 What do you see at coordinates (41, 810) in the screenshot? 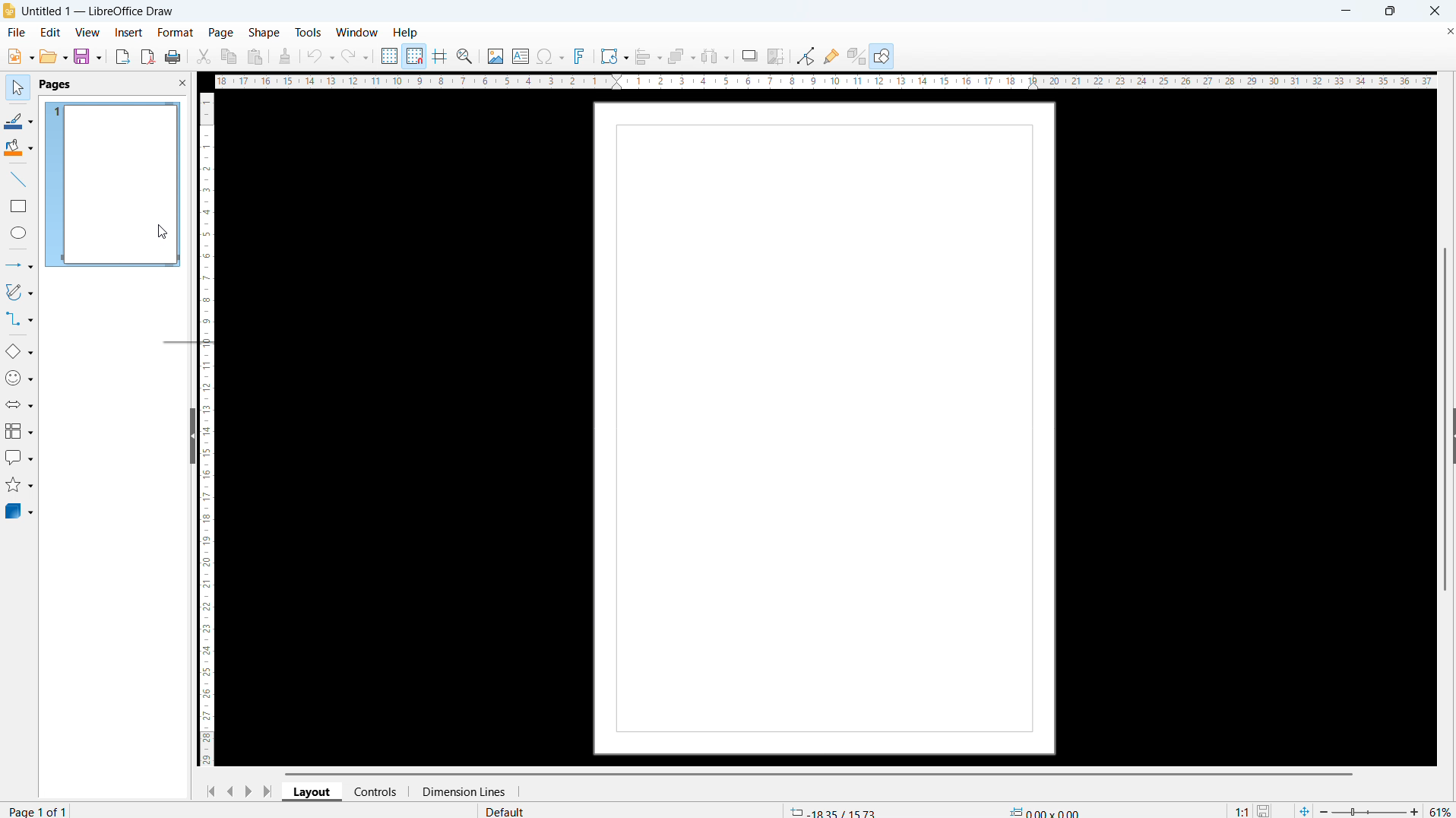
I see `page number` at bounding box center [41, 810].